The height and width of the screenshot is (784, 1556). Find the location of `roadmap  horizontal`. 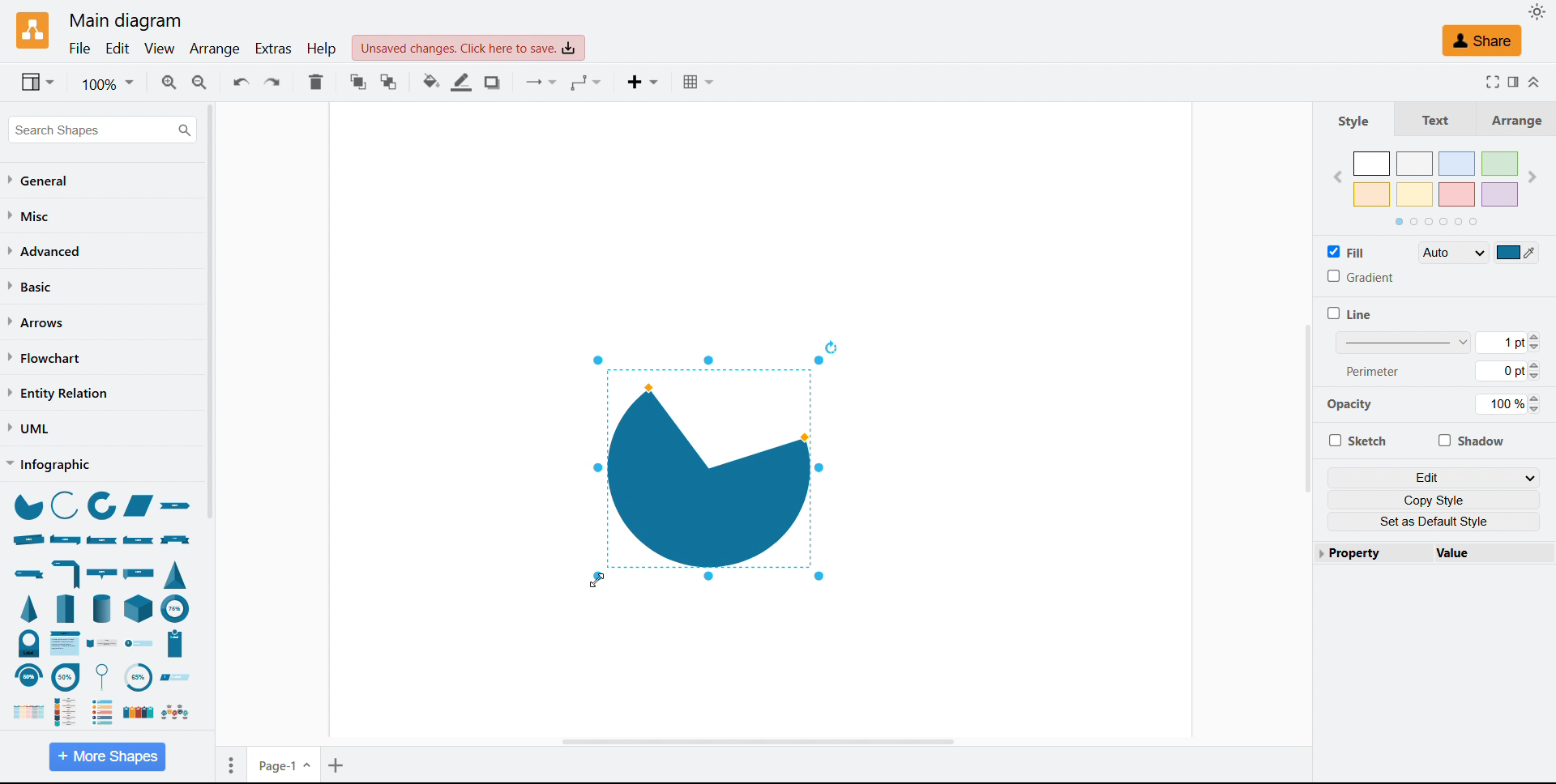

roadmap  horizontal is located at coordinates (174, 713).